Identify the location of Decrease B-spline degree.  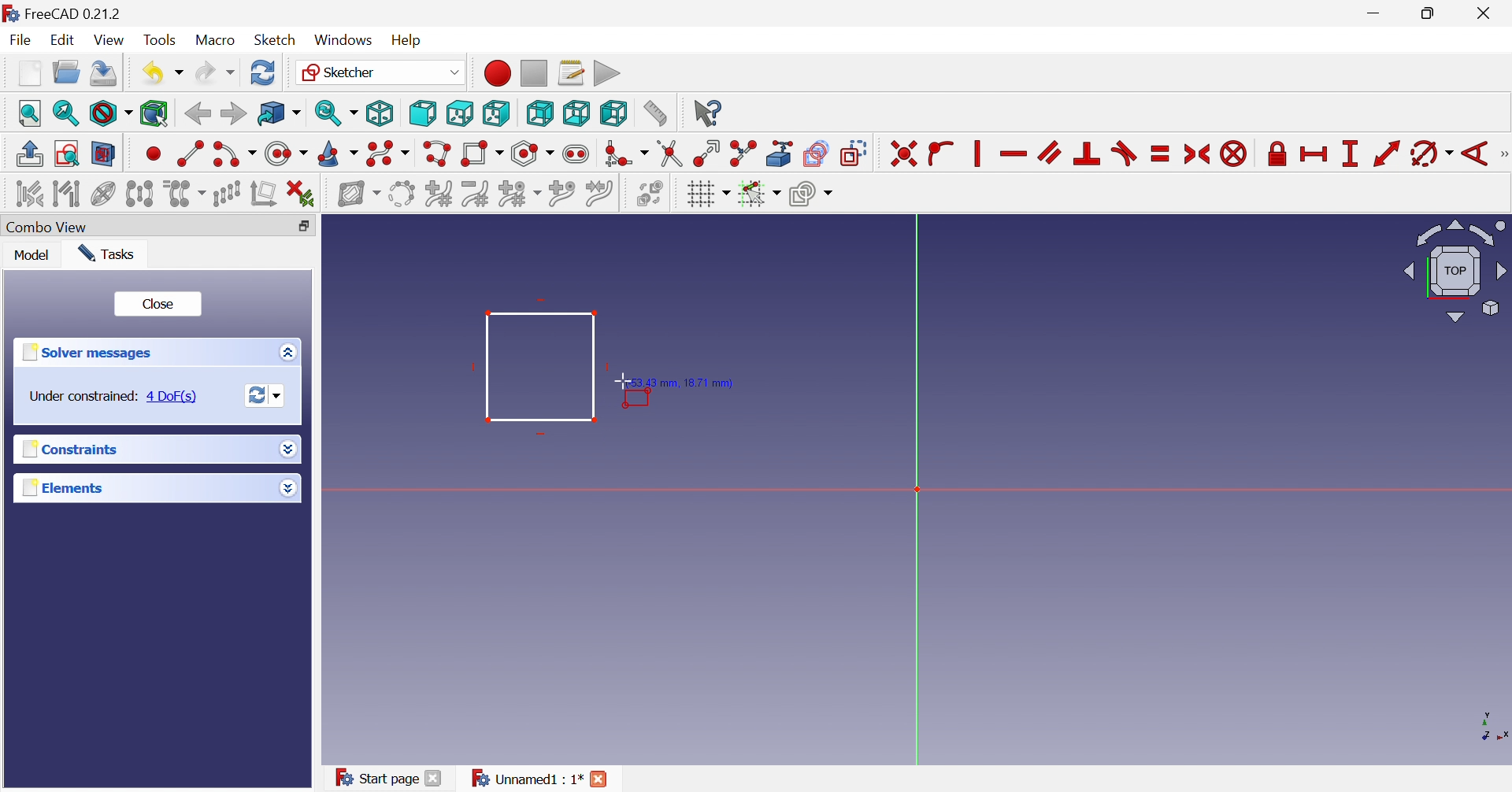
(475, 194).